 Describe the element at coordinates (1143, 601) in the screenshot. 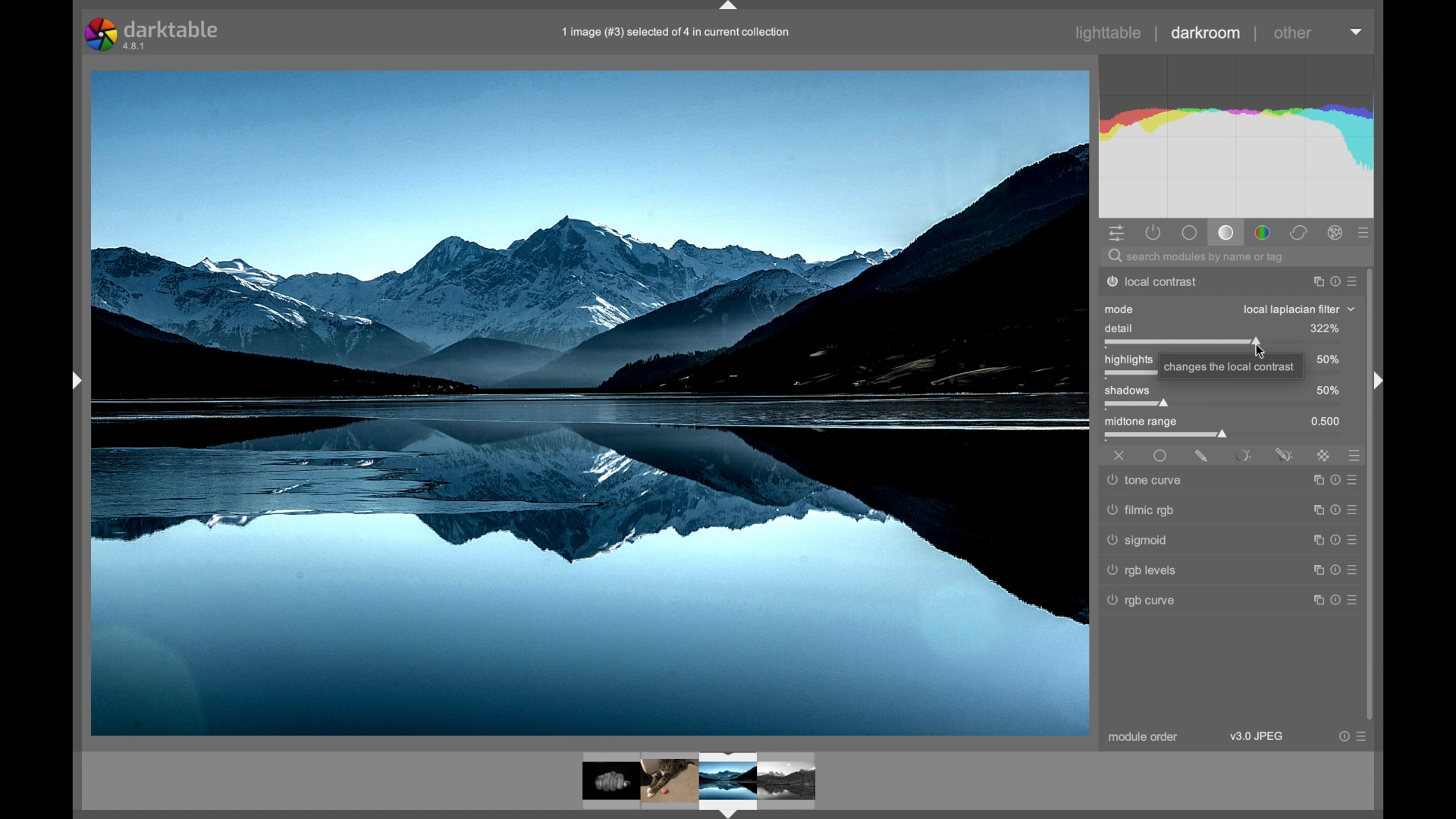

I see `rgb curve` at that location.